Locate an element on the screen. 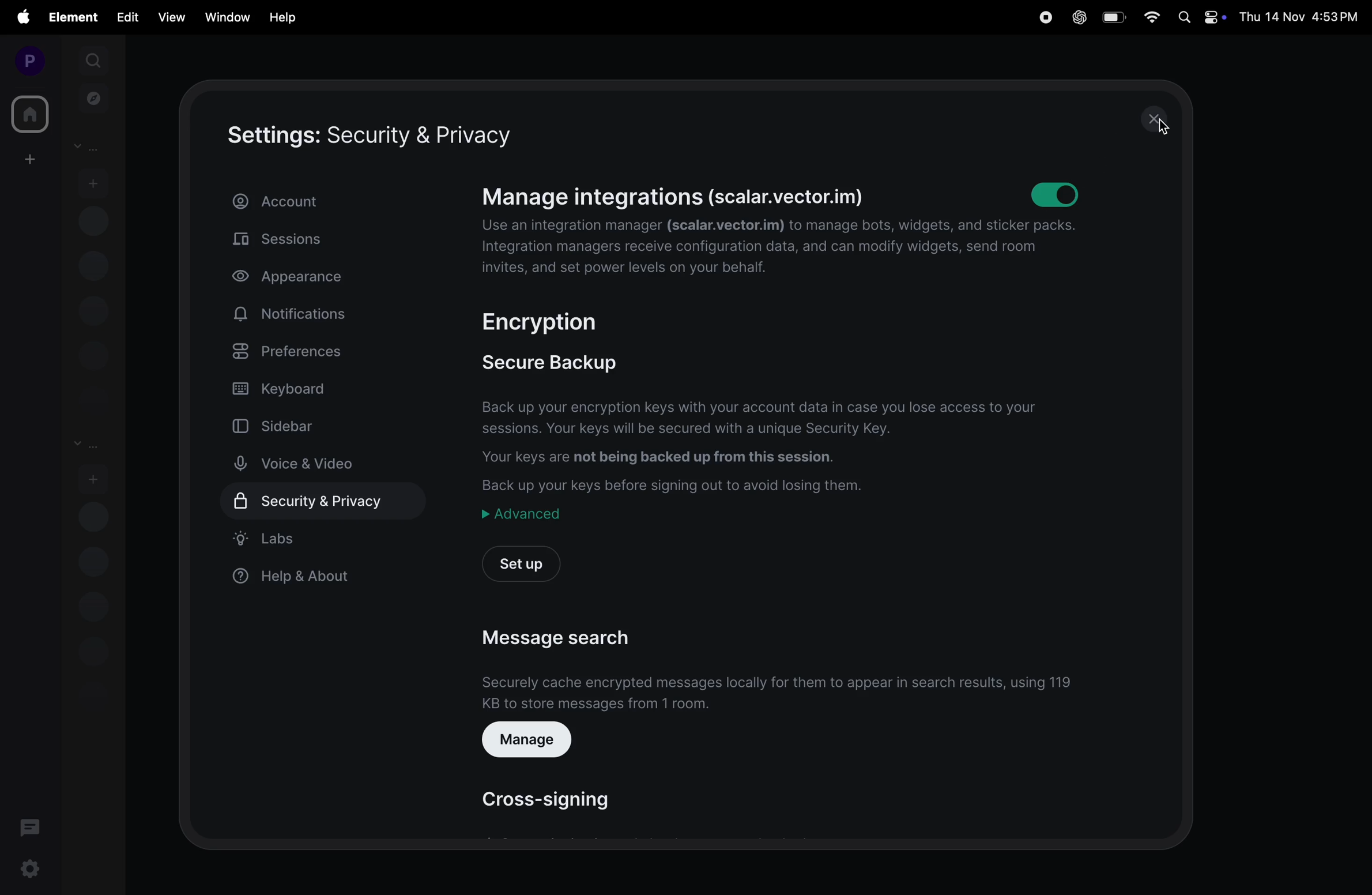  Back up your encryption keys with your account data in case you lose access to your
sessions. Your keys will be secured with a unique Security Key.

Your keys are not being backed up from this session.

Back up your keys before signing out to avoid losing them. is located at coordinates (756, 449).